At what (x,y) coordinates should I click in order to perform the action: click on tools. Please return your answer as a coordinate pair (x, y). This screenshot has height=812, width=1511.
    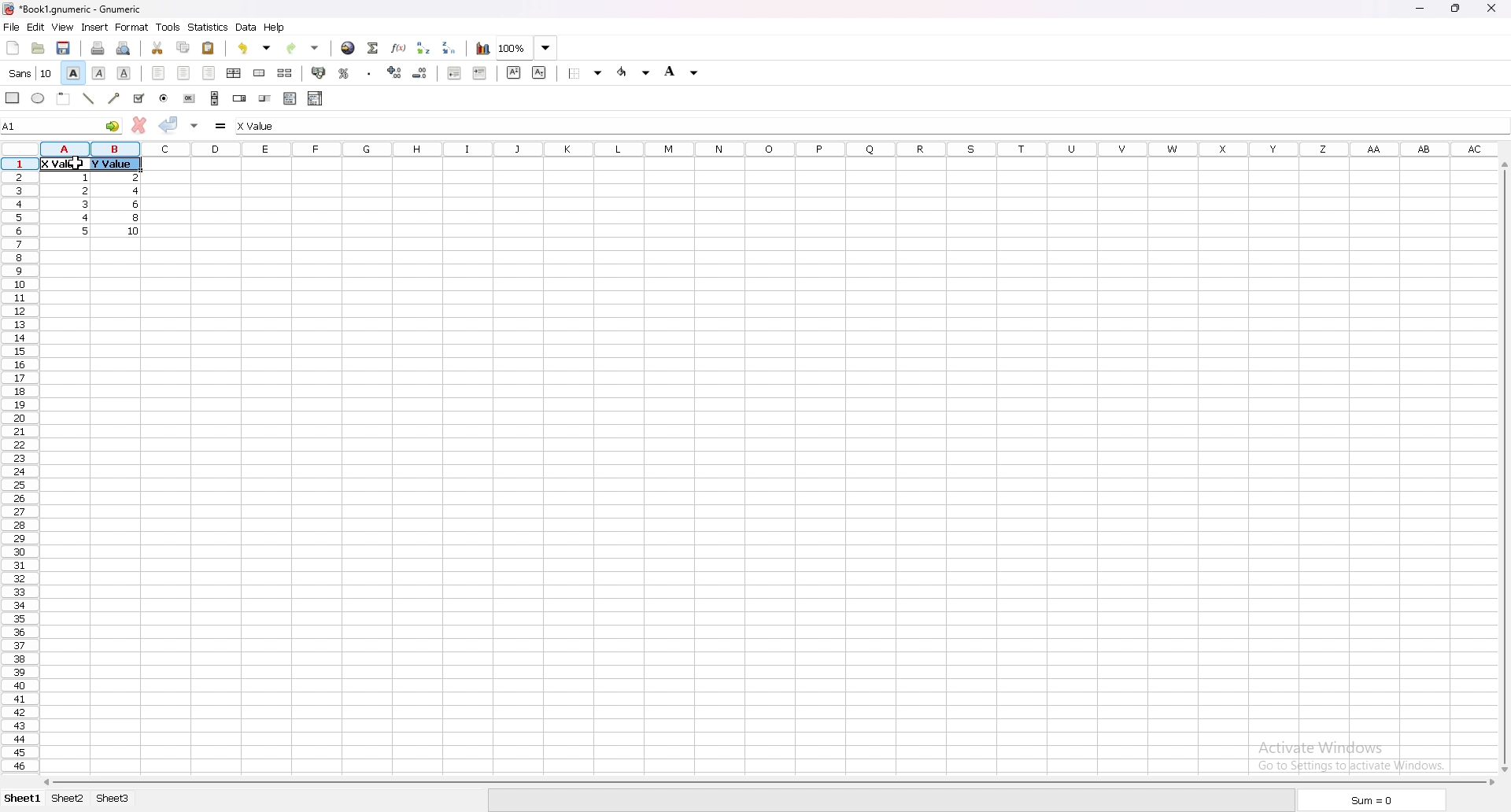
    Looking at the image, I should click on (168, 27).